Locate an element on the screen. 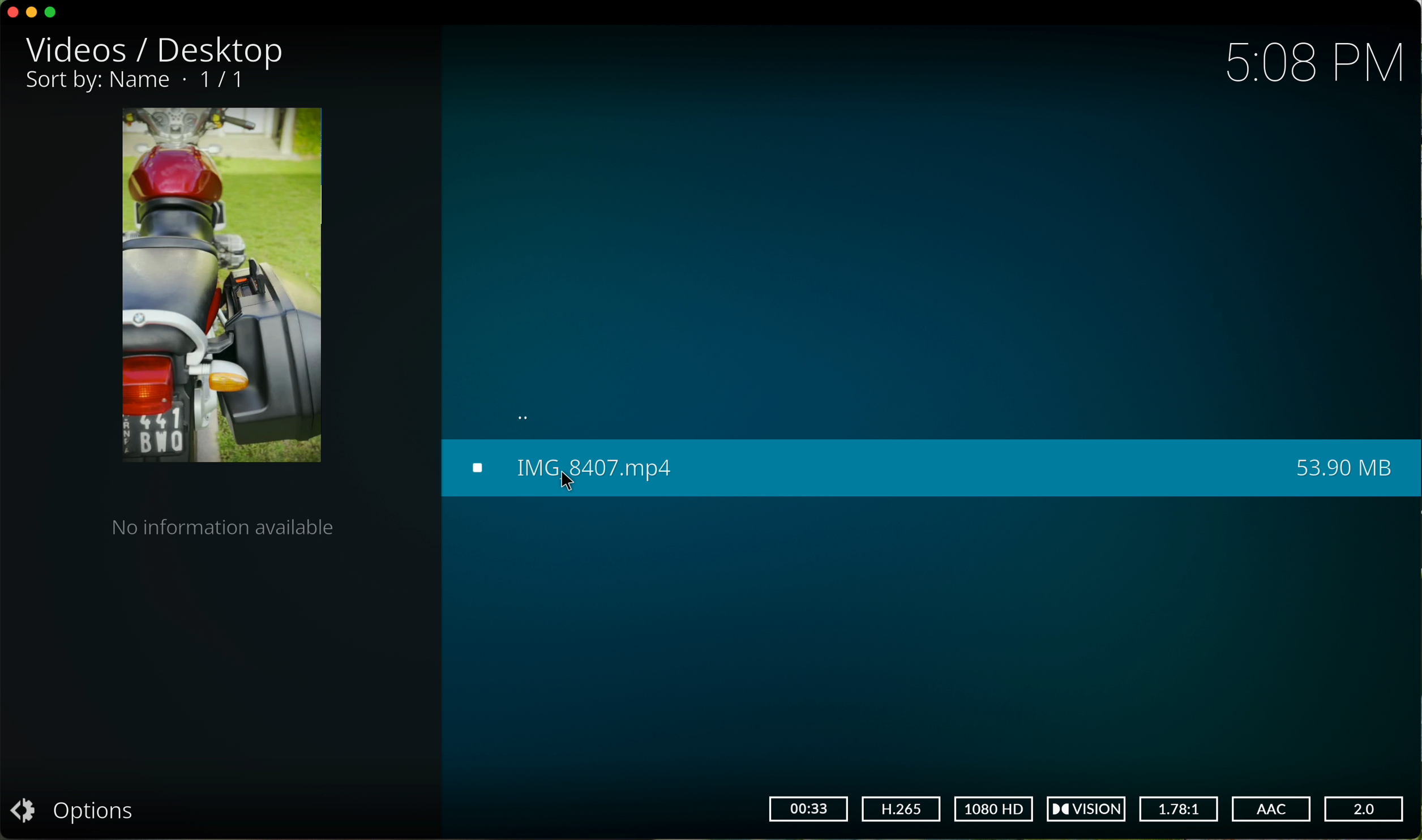 Image resolution: width=1422 pixels, height=840 pixels. Videos/DEsktop is located at coordinates (159, 50).